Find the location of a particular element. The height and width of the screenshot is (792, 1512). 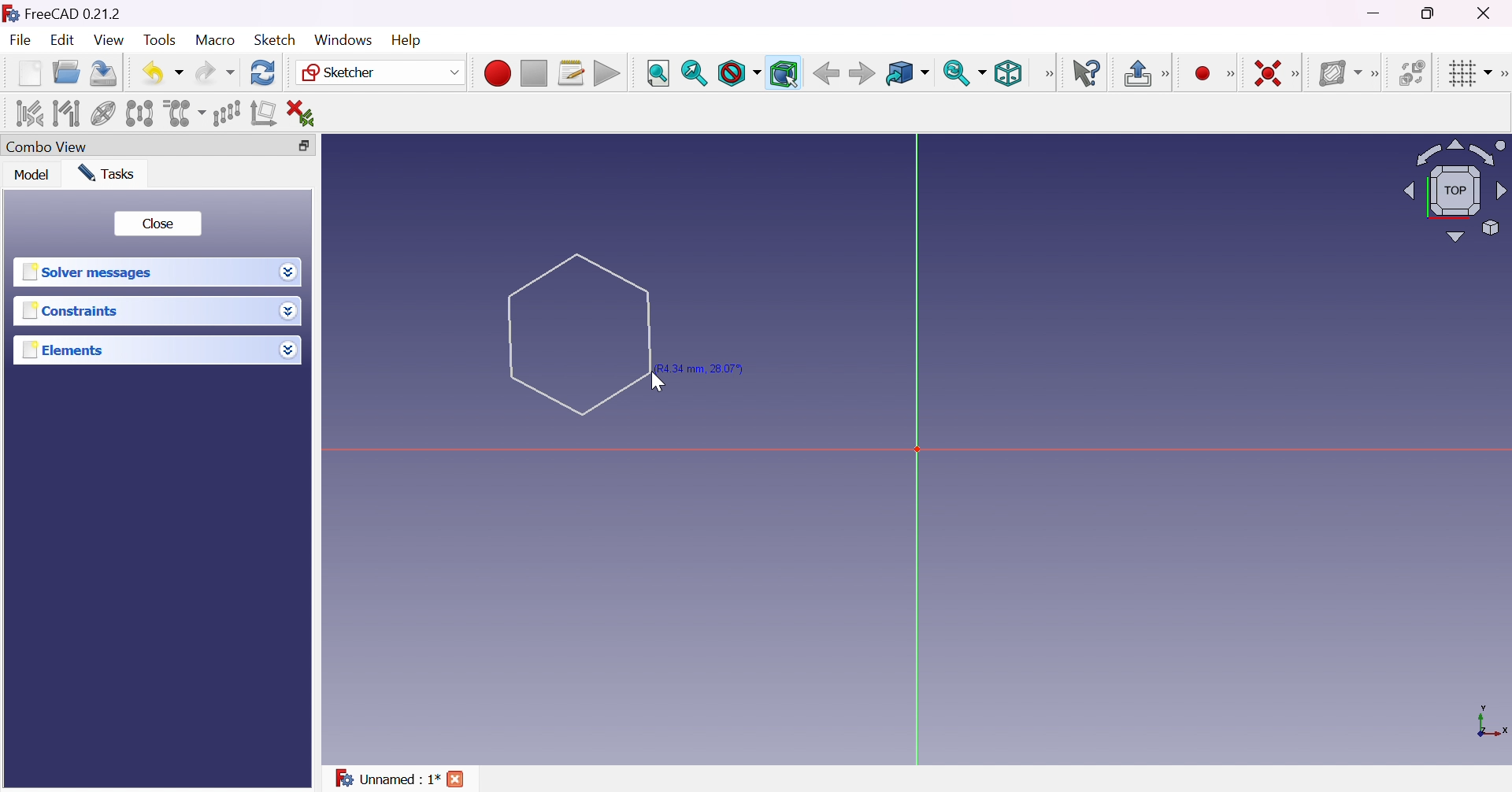

Switch virtual space is located at coordinates (1410, 72).